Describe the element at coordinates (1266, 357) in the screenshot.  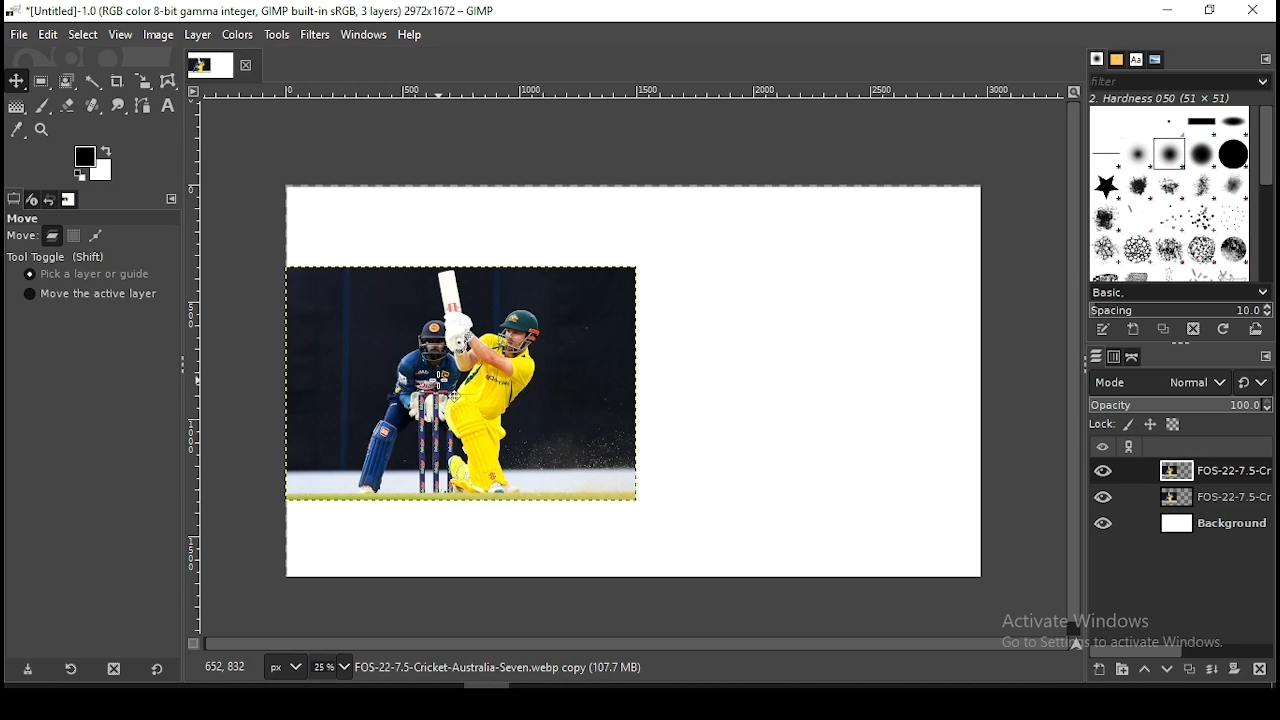
I see `tool` at that location.